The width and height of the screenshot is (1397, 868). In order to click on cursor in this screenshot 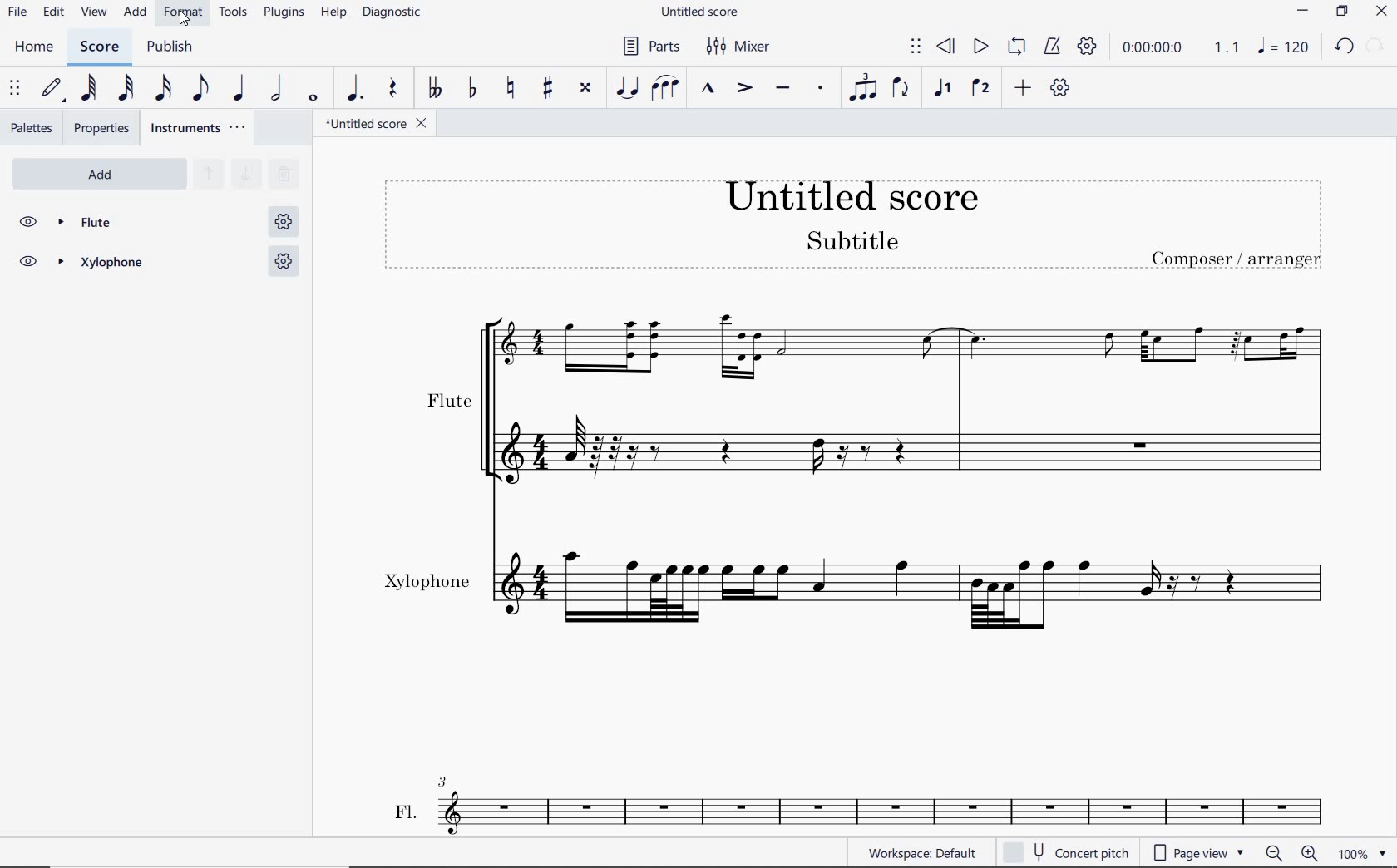, I will do `click(184, 24)`.